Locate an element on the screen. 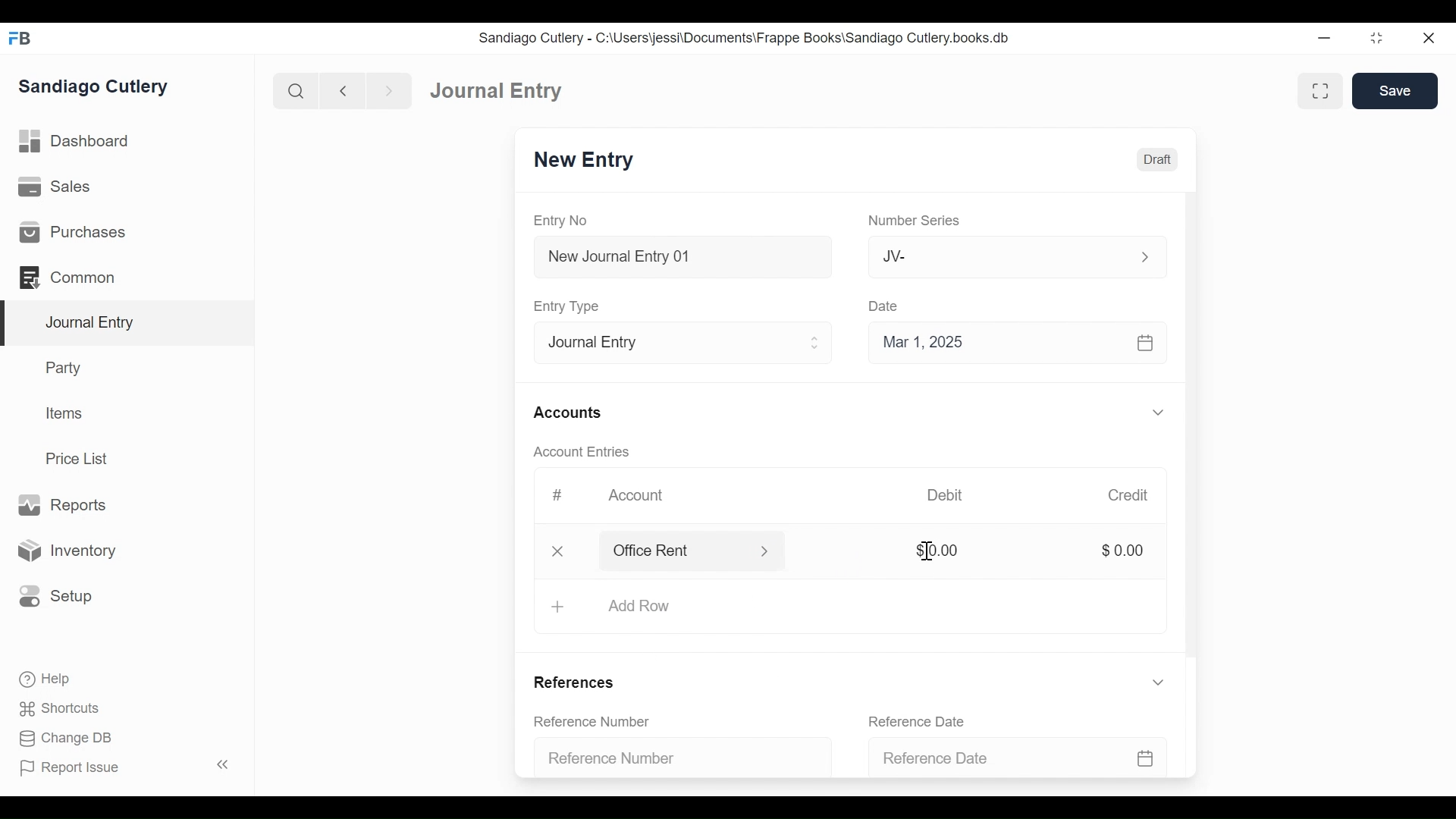 This screenshot has width=1456, height=819. $0.00 is located at coordinates (937, 550).